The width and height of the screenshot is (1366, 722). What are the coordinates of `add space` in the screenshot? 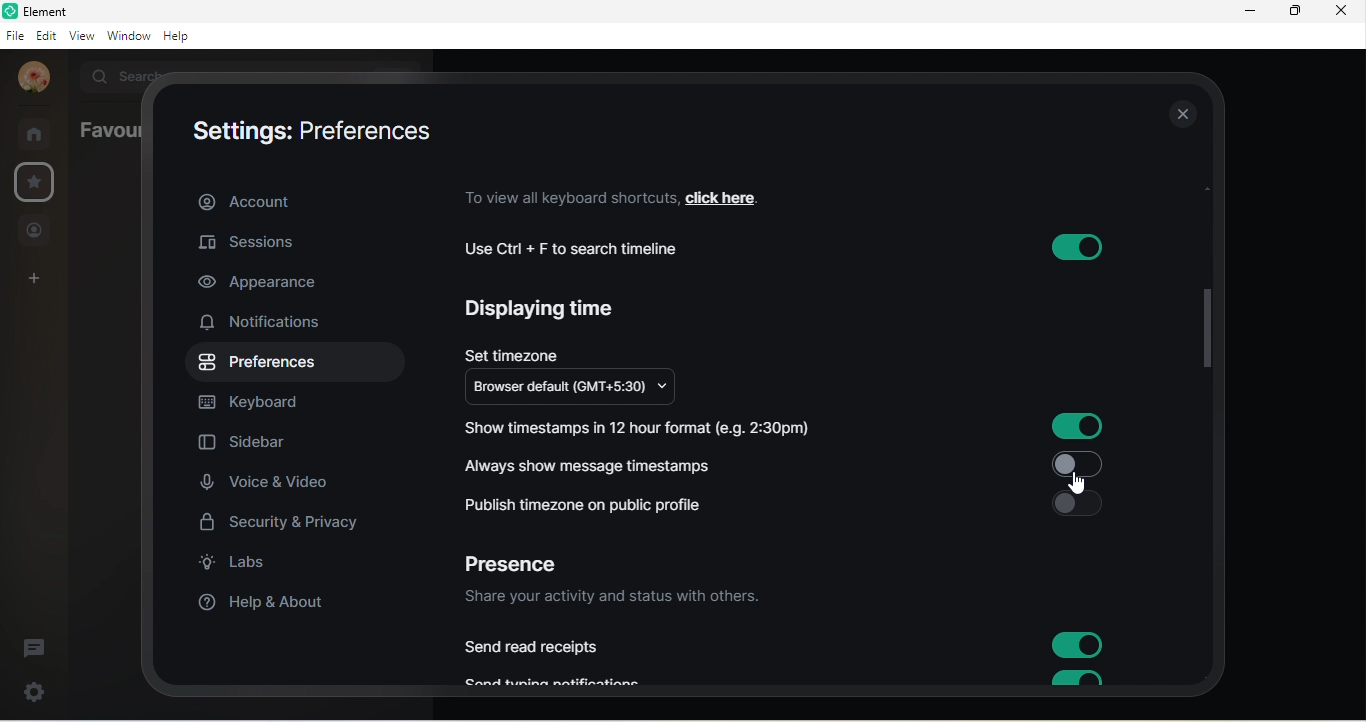 It's located at (35, 282).